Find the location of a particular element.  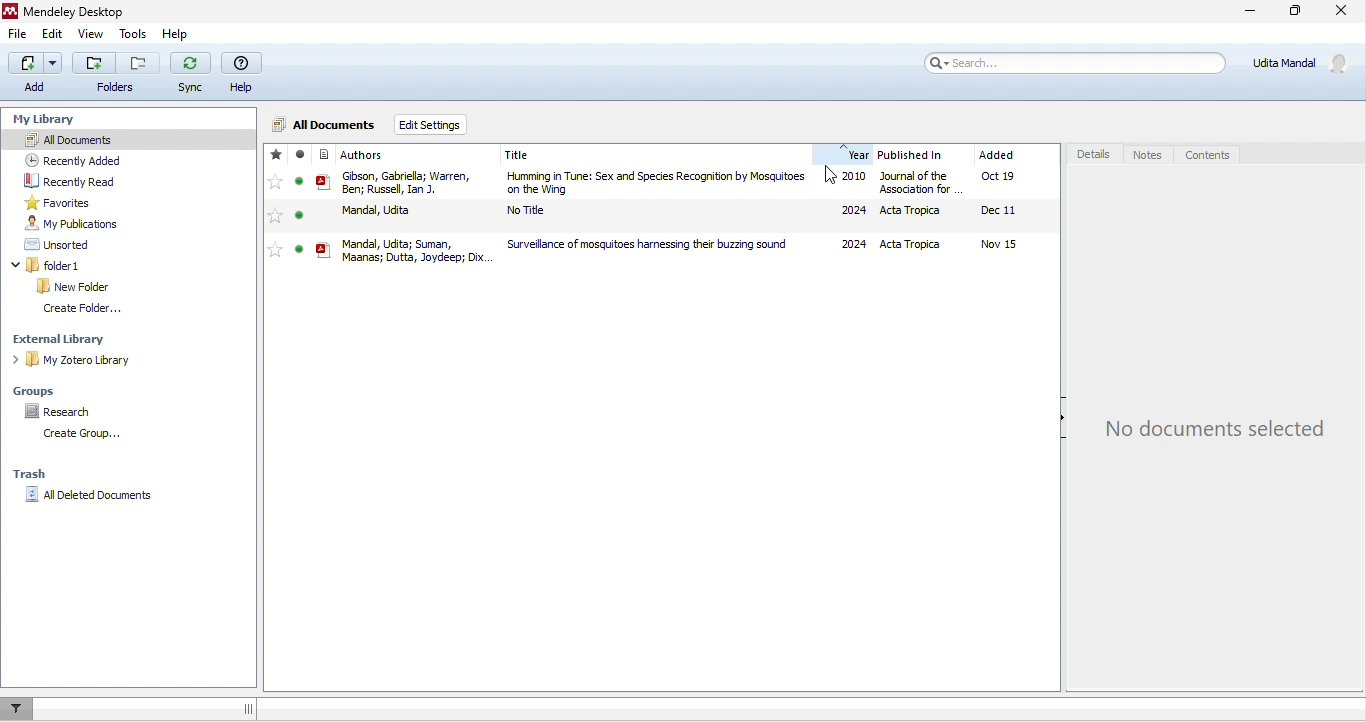

J Authors

y| Gbson, Gabriela; Warren,

| gen; Russel, Ian J.
Manda, Udta

yy Mandal, Udita; Suman,

| Maanas; Dutta, Joydeep; Dix is located at coordinates (375, 206).